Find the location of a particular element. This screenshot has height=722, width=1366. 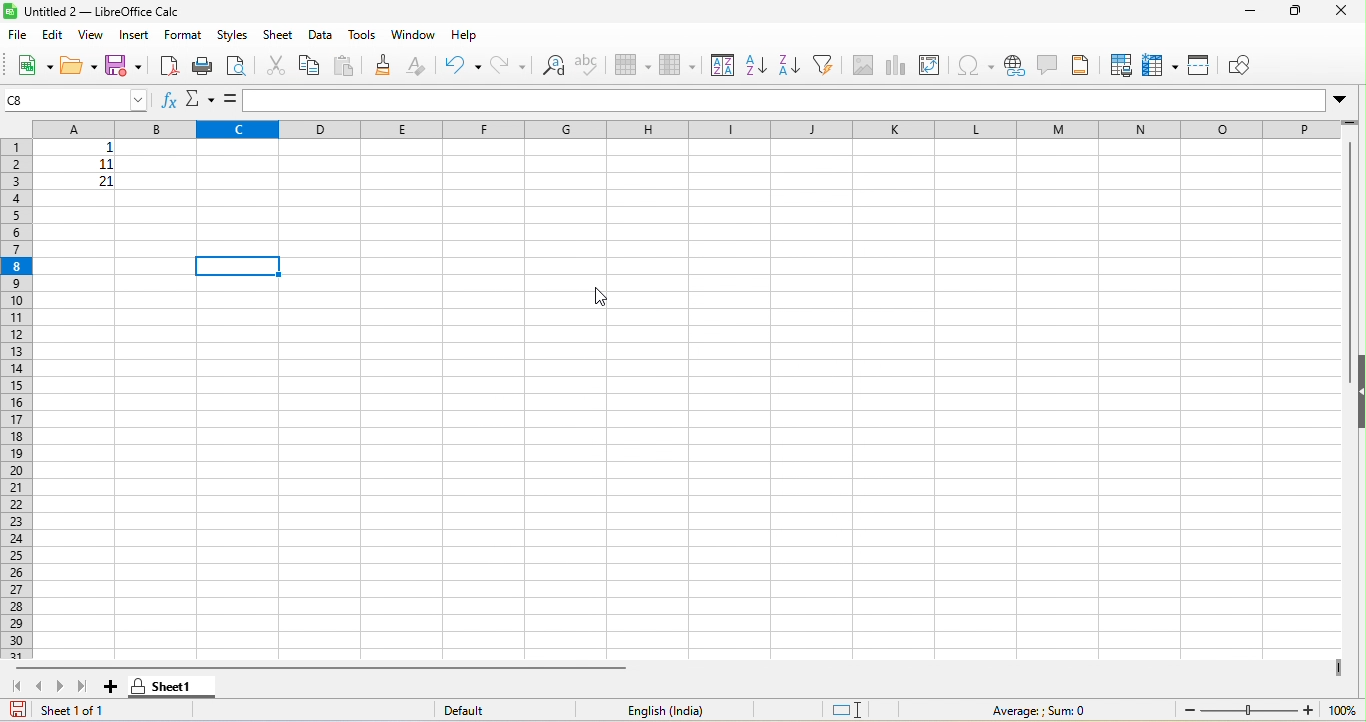

copy is located at coordinates (310, 67).